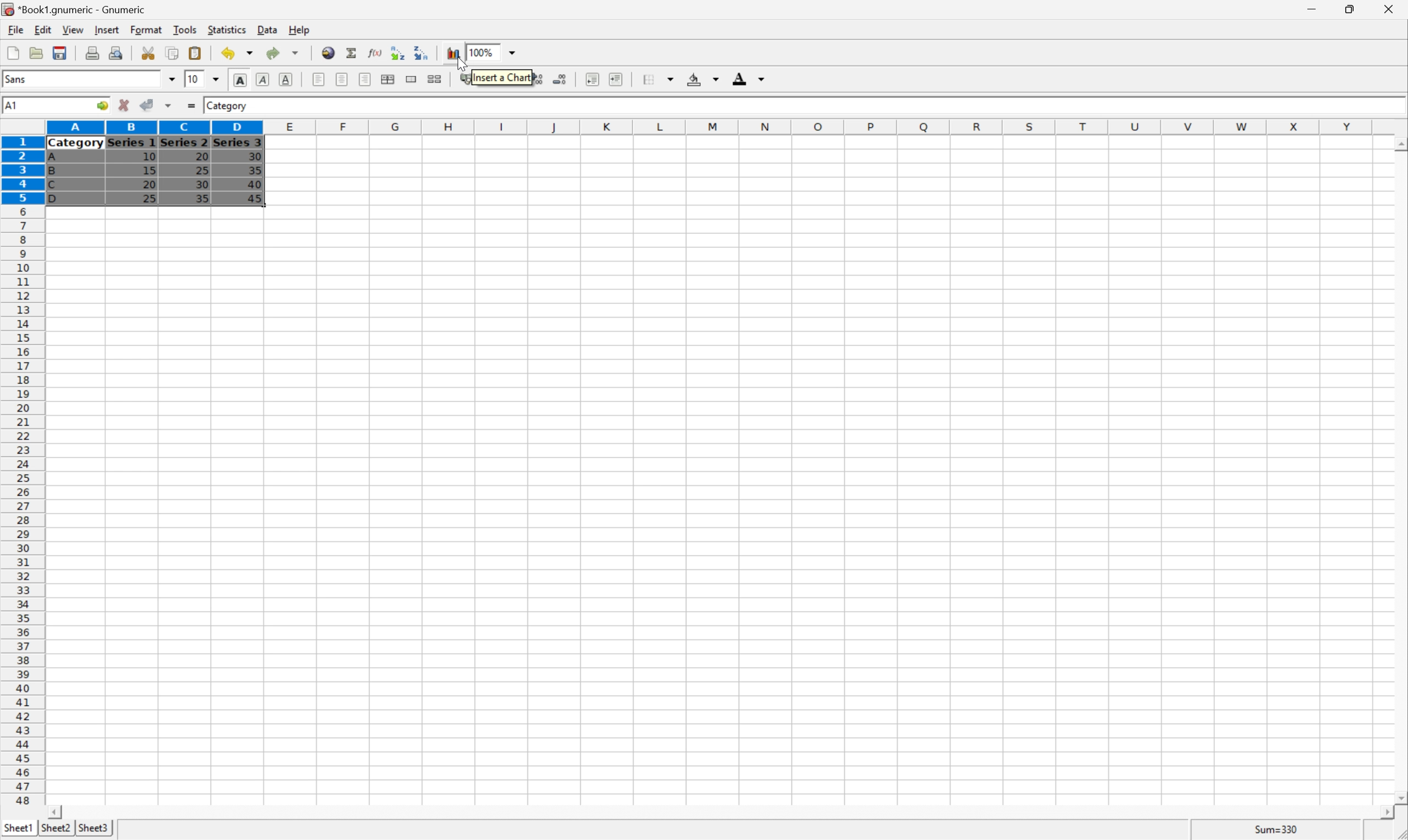 The height and width of the screenshot is (840, 1408). Describe the element at coordinates (203, 170) in the screenshot. I see `25` at that location.